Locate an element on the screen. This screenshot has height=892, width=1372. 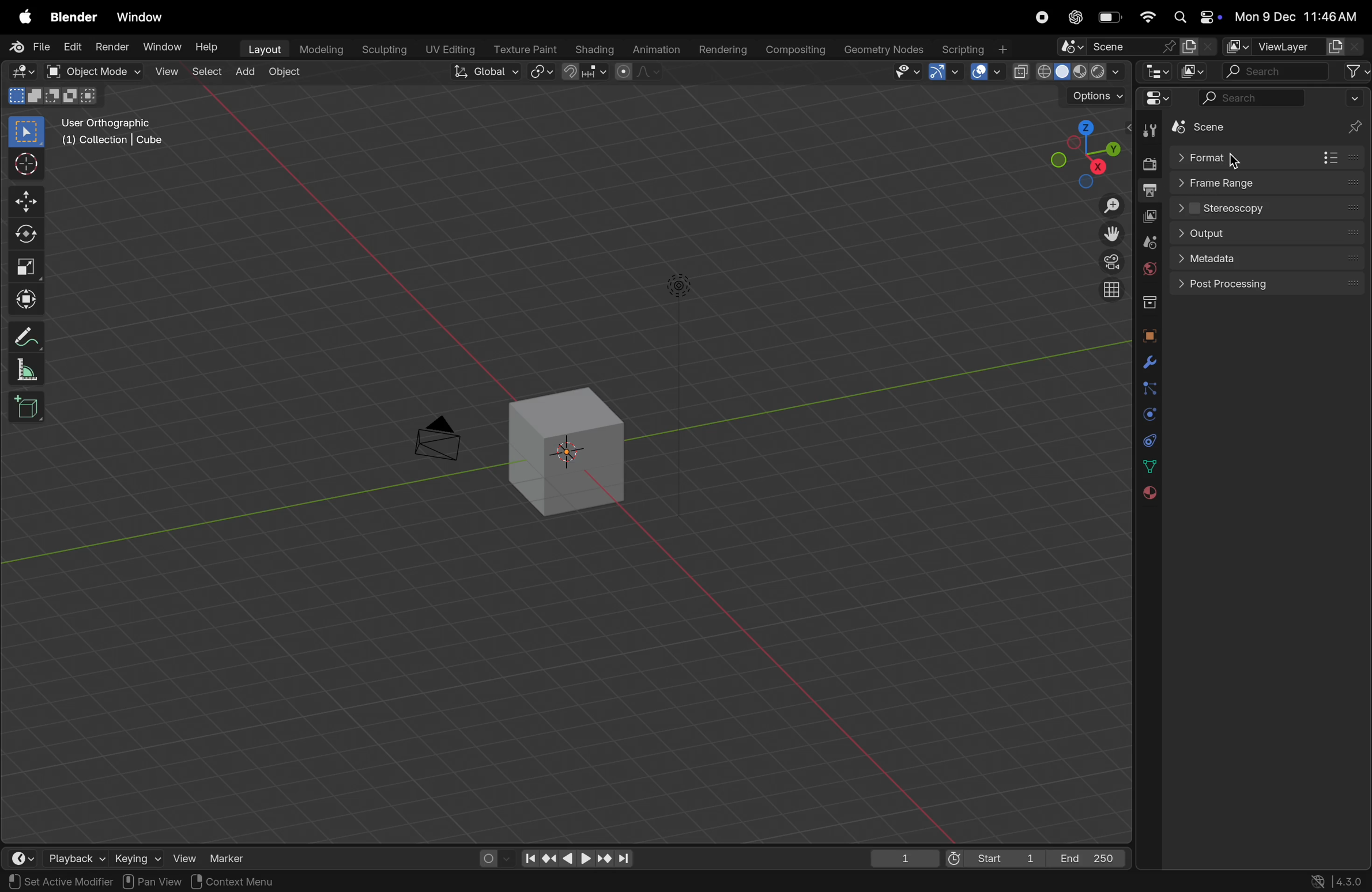
record is located at coordinates (1043, 18).